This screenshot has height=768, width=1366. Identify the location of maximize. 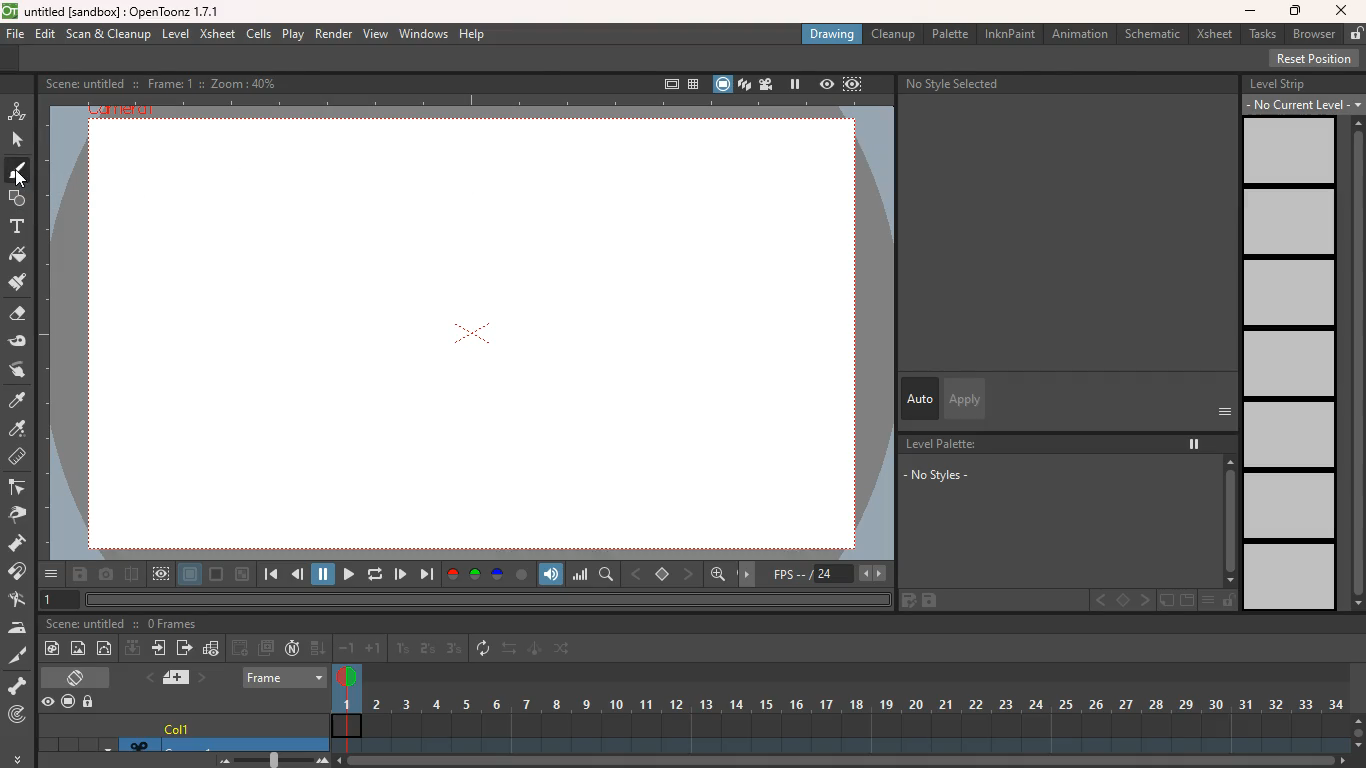
(1297, 11).